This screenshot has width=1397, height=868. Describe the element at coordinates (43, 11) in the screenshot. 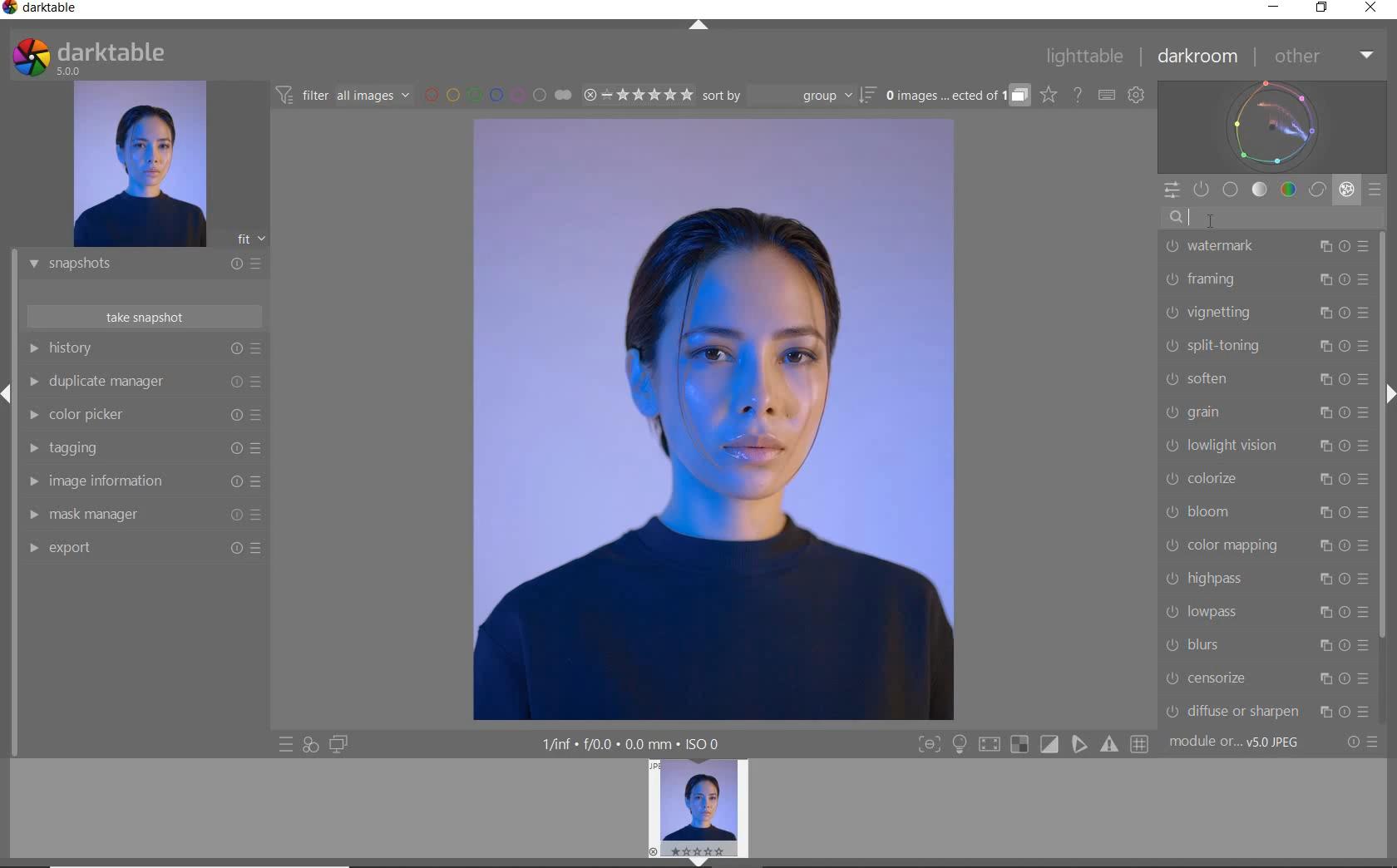

I see `SYSTEM NAME` at that location.